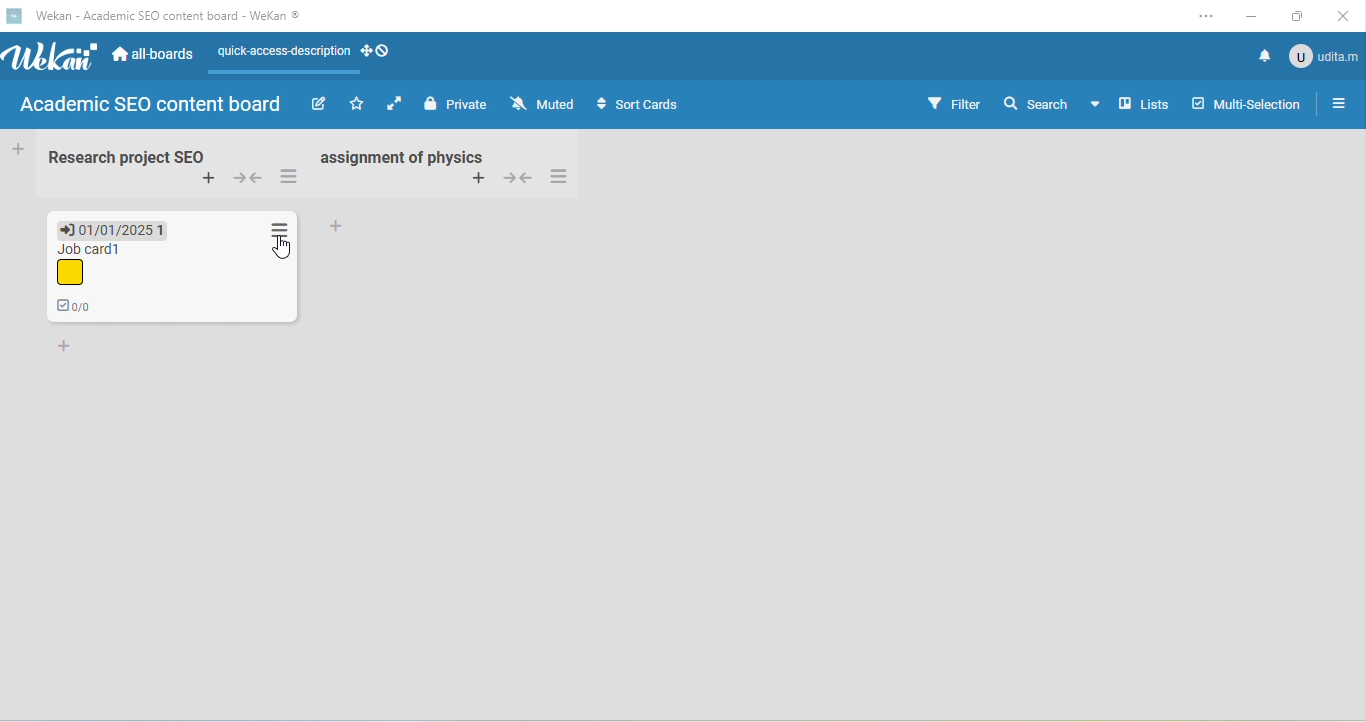 Image resolution: width=1366 pixels, height=722 pixels. What do you see at coordinates (546, 104) in the screenshot?
I see `muted` at bounding box center [546, 104].